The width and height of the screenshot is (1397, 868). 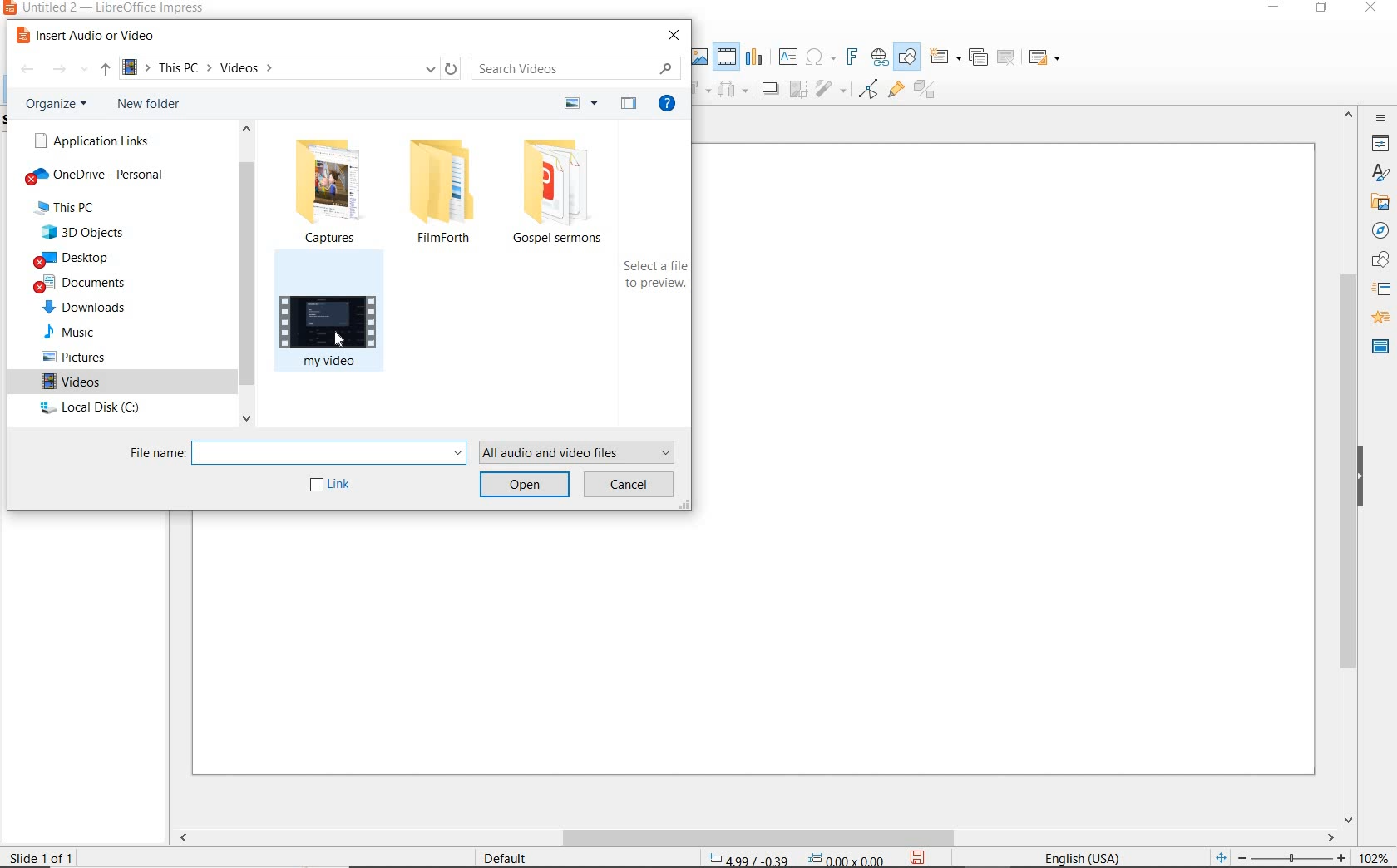 What do you see at coordinates (74, 259) in the screenshot?
I see `desktop` at bounding box center [74, 259].